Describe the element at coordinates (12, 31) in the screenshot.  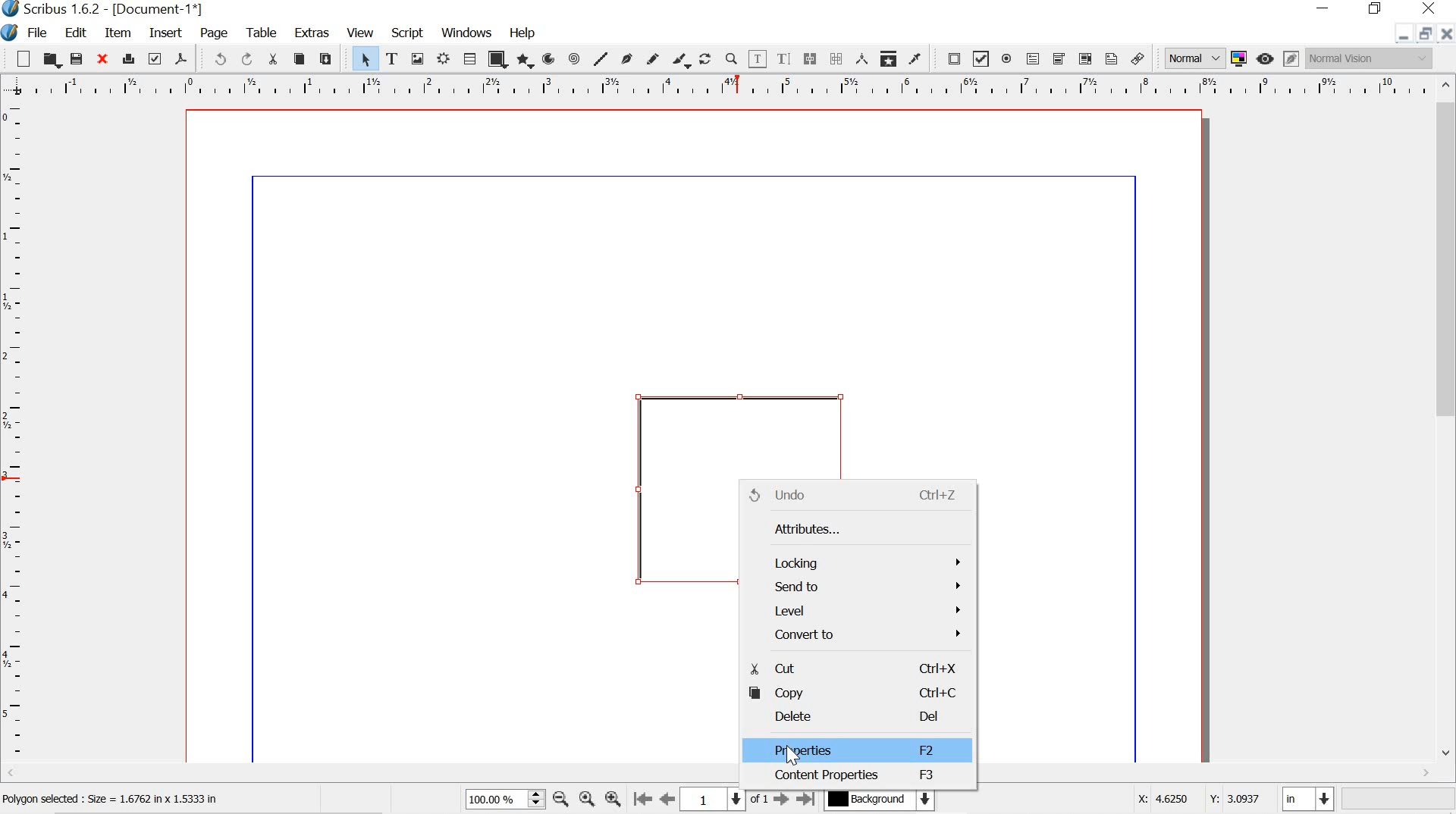
I see `SYSTEM LOGO` at that location.